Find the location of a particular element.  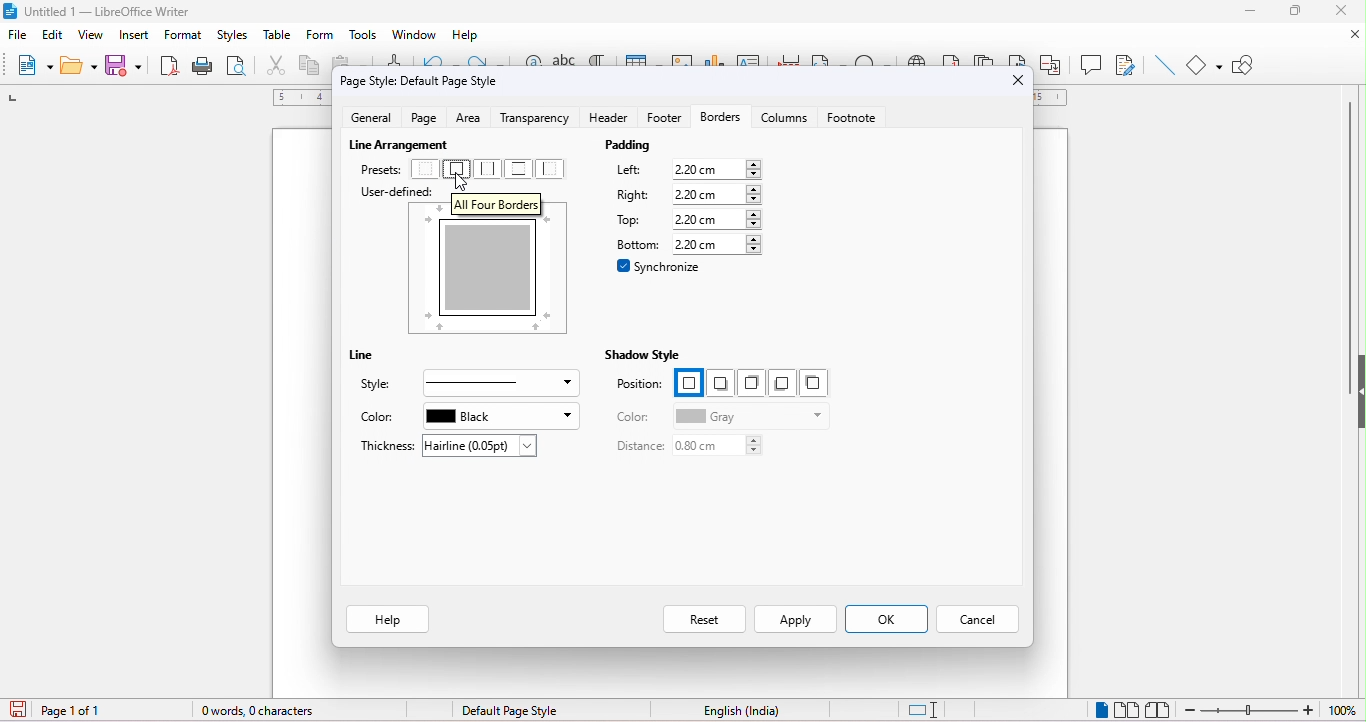

form is located at coordinates (318, 37).